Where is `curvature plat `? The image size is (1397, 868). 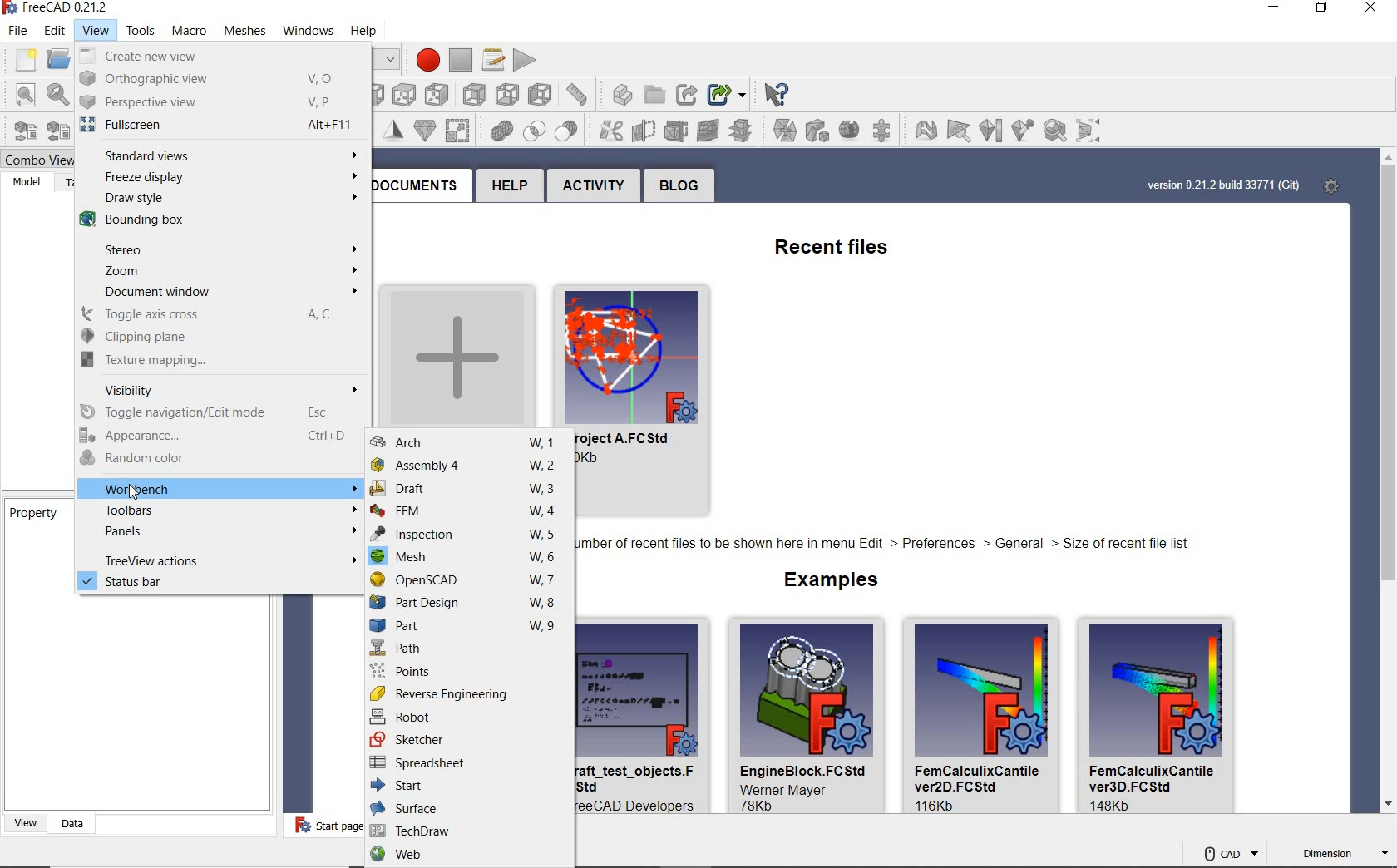 curvature plat  is located at coordinates (990, 132).